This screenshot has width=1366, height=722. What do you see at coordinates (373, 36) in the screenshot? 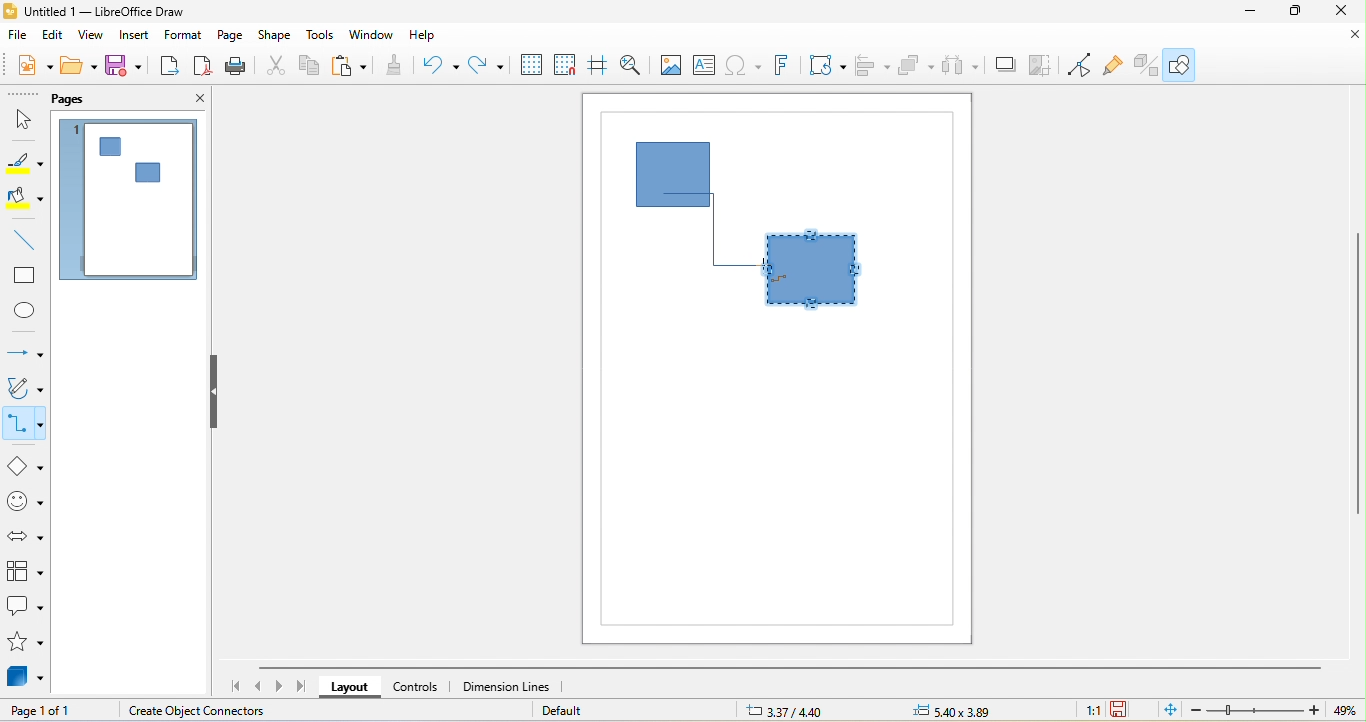
I see `window` at bounding box center [373, 36].